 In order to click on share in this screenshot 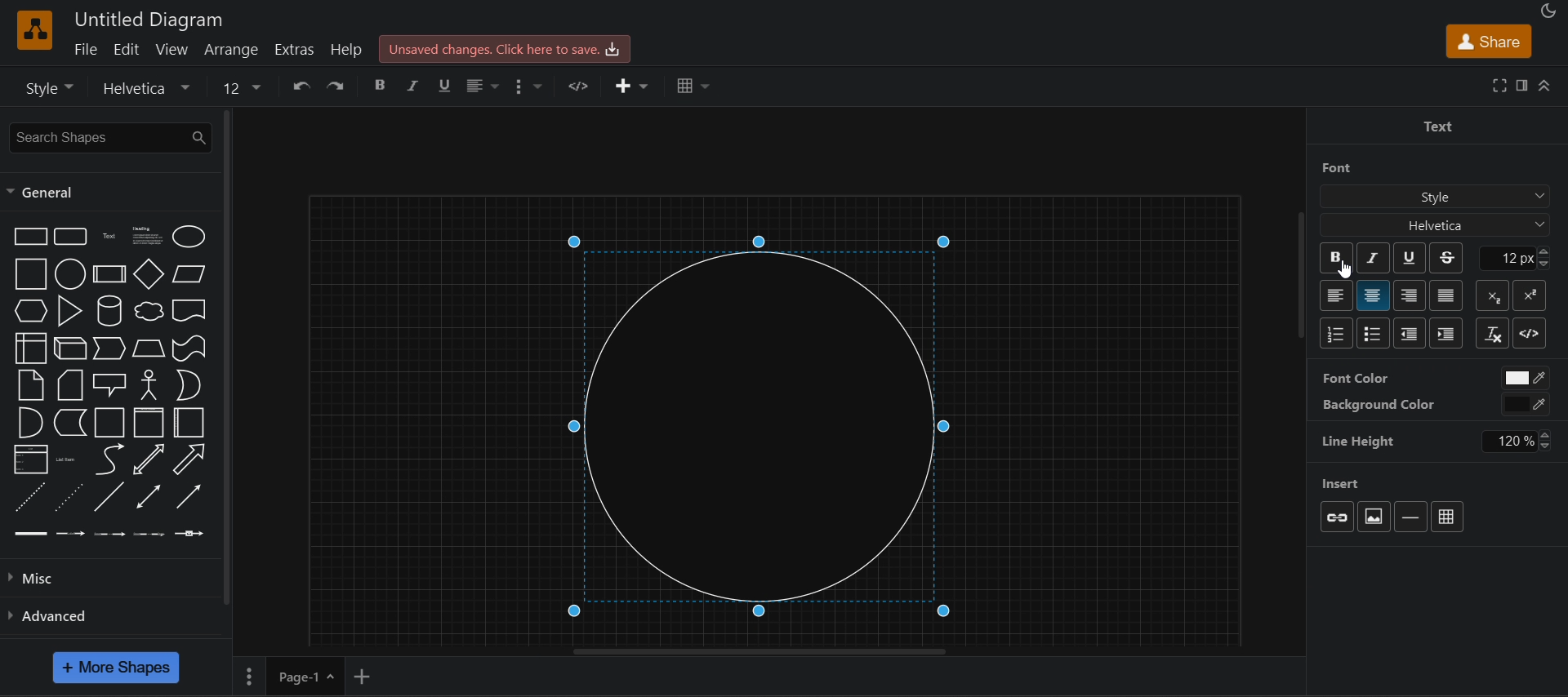, I will do `click(1490, 43)`.